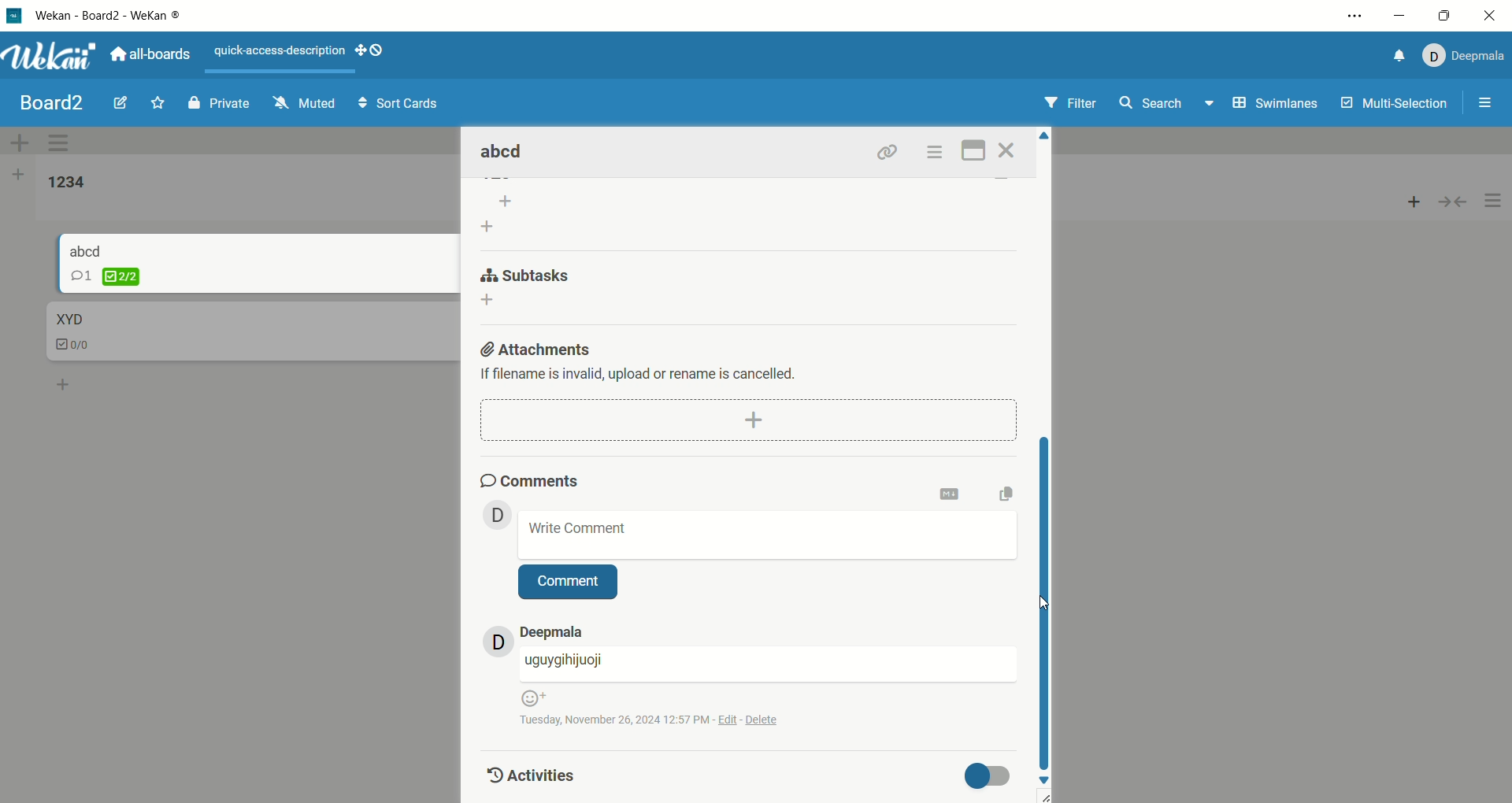 Image resolution: width=1512 pixels, height=803 pixels. Describe the element at coordinates (1396, 104) in the screenshot. I see `multi-selection` at that location.